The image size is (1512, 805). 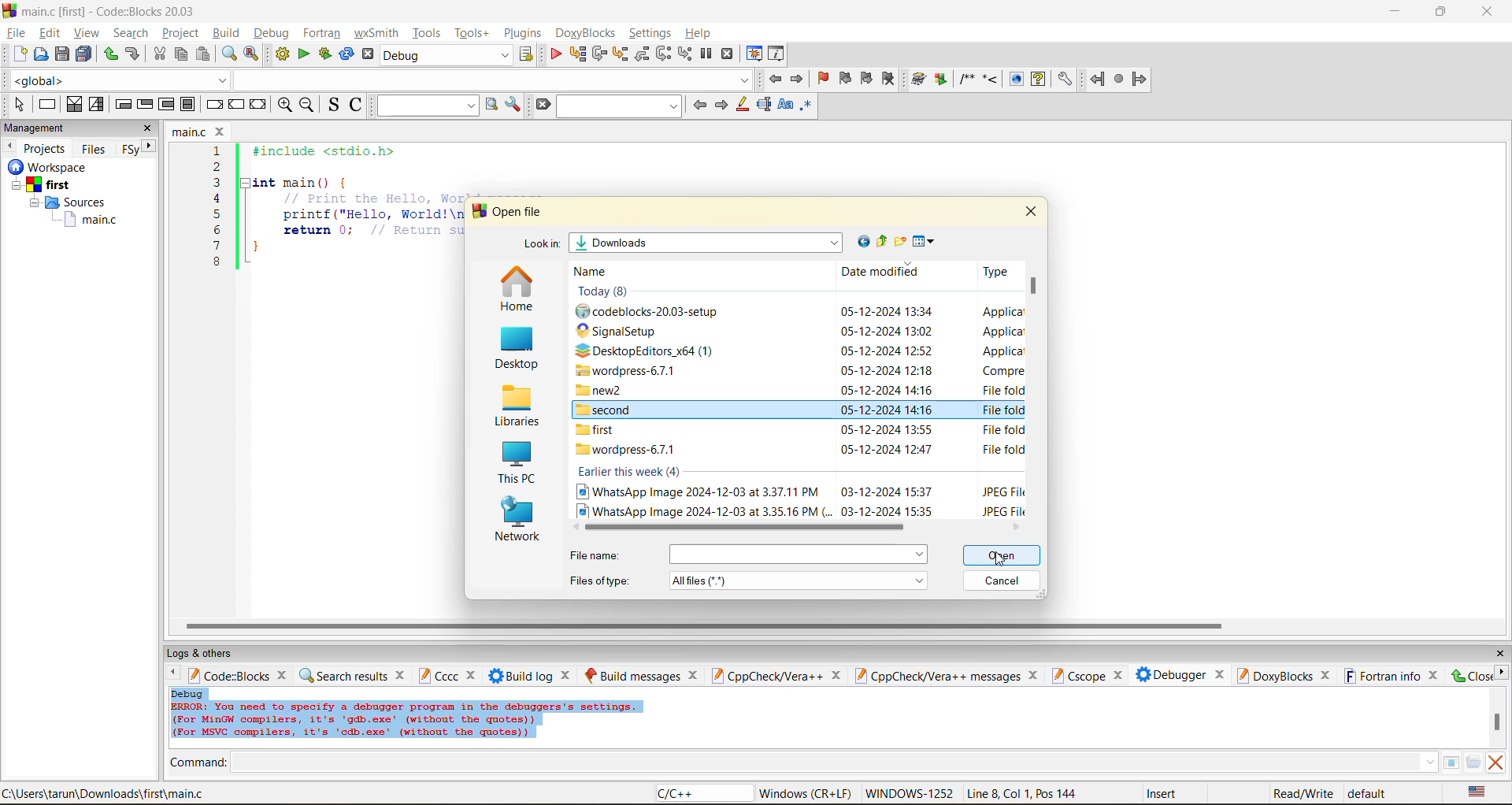 I want to click on block instruction, so click(x=188, y=105).